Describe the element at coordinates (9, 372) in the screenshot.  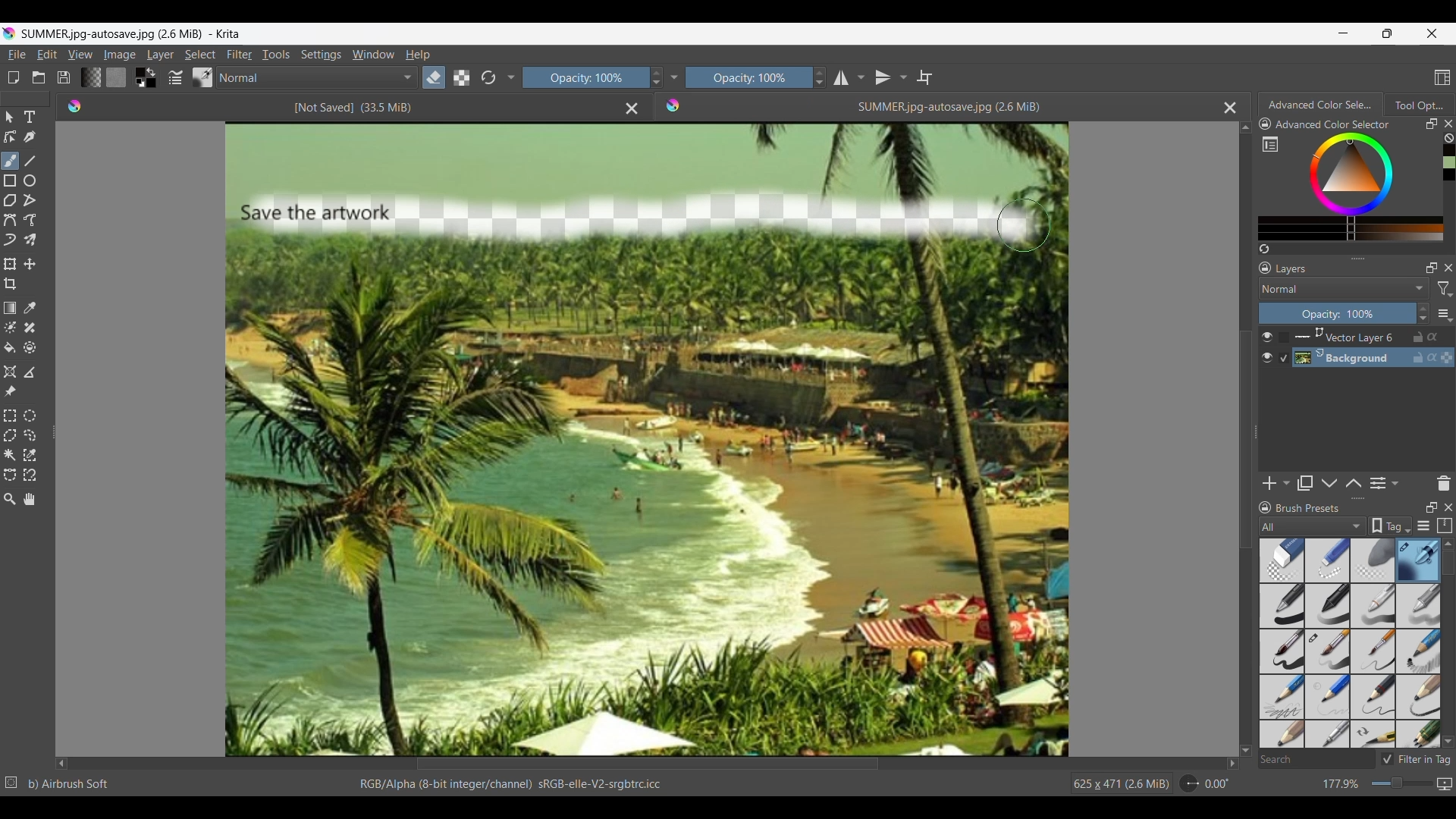
I see `Assistant tool` at that location.